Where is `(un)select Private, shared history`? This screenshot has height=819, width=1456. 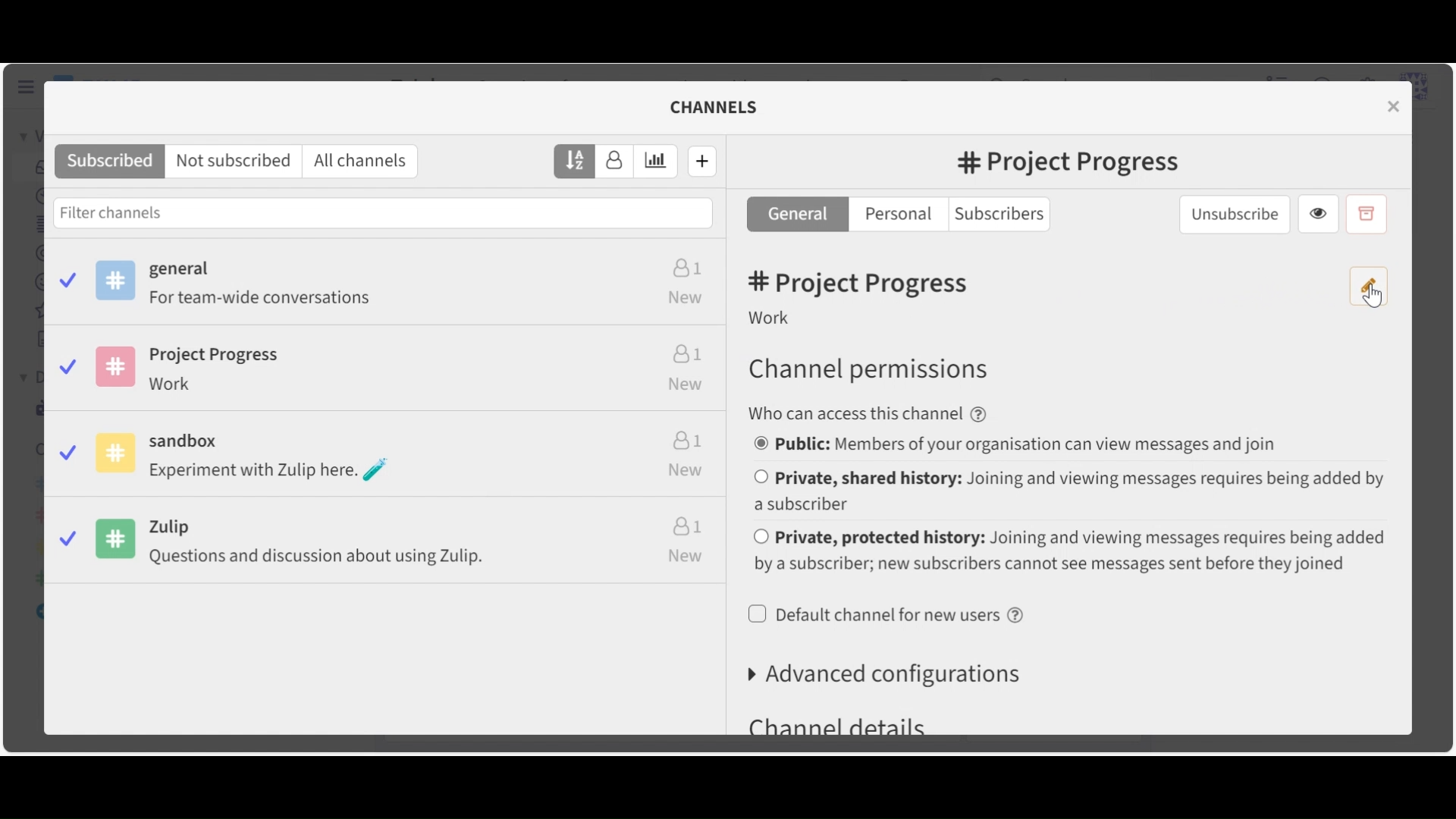
(un)select Private, shared history is located at coordinates (1067, 491).